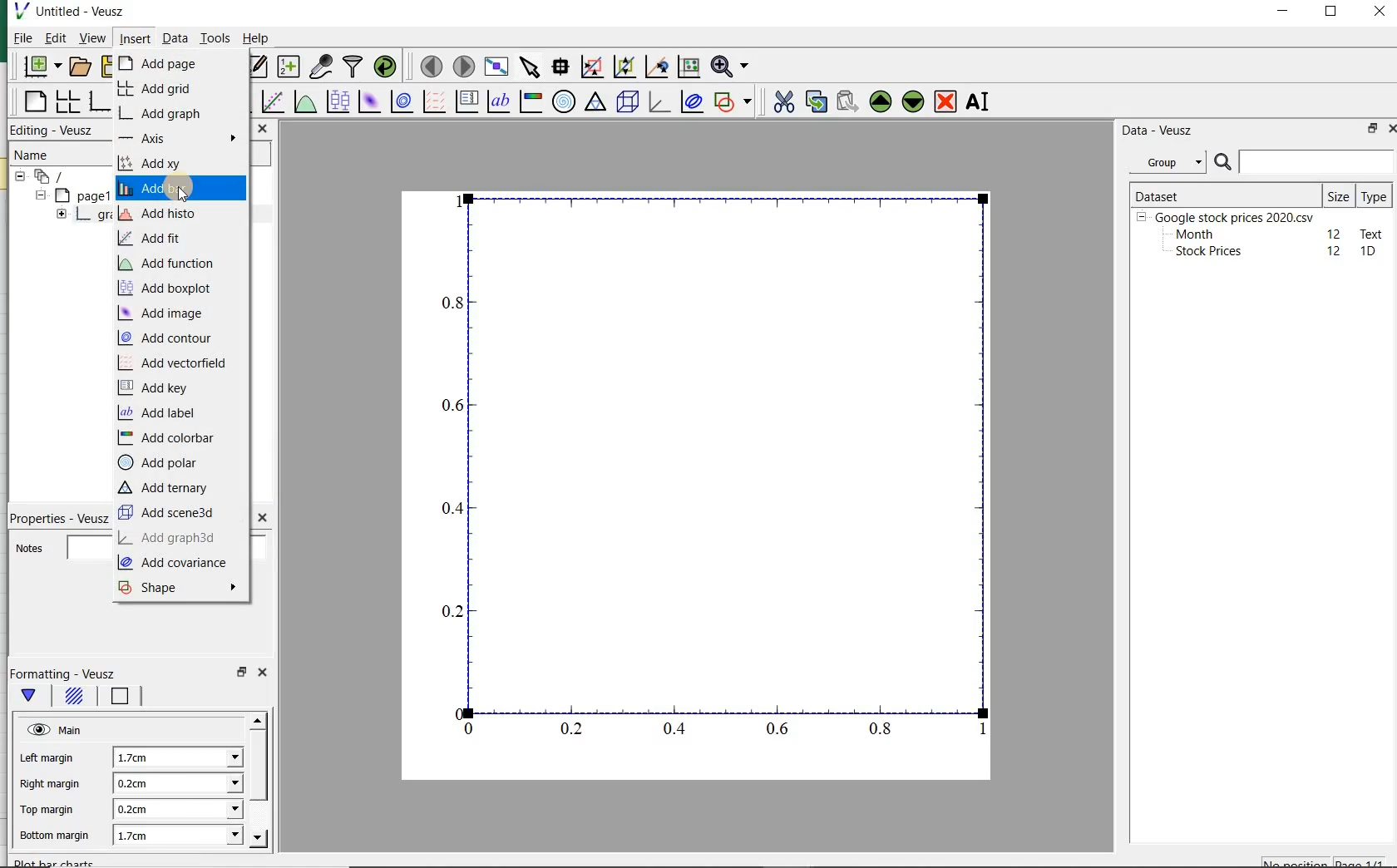  What do you see at coordinates (72, 196) in the screenshot?
I see `page1` at bounding box center [72, 196].